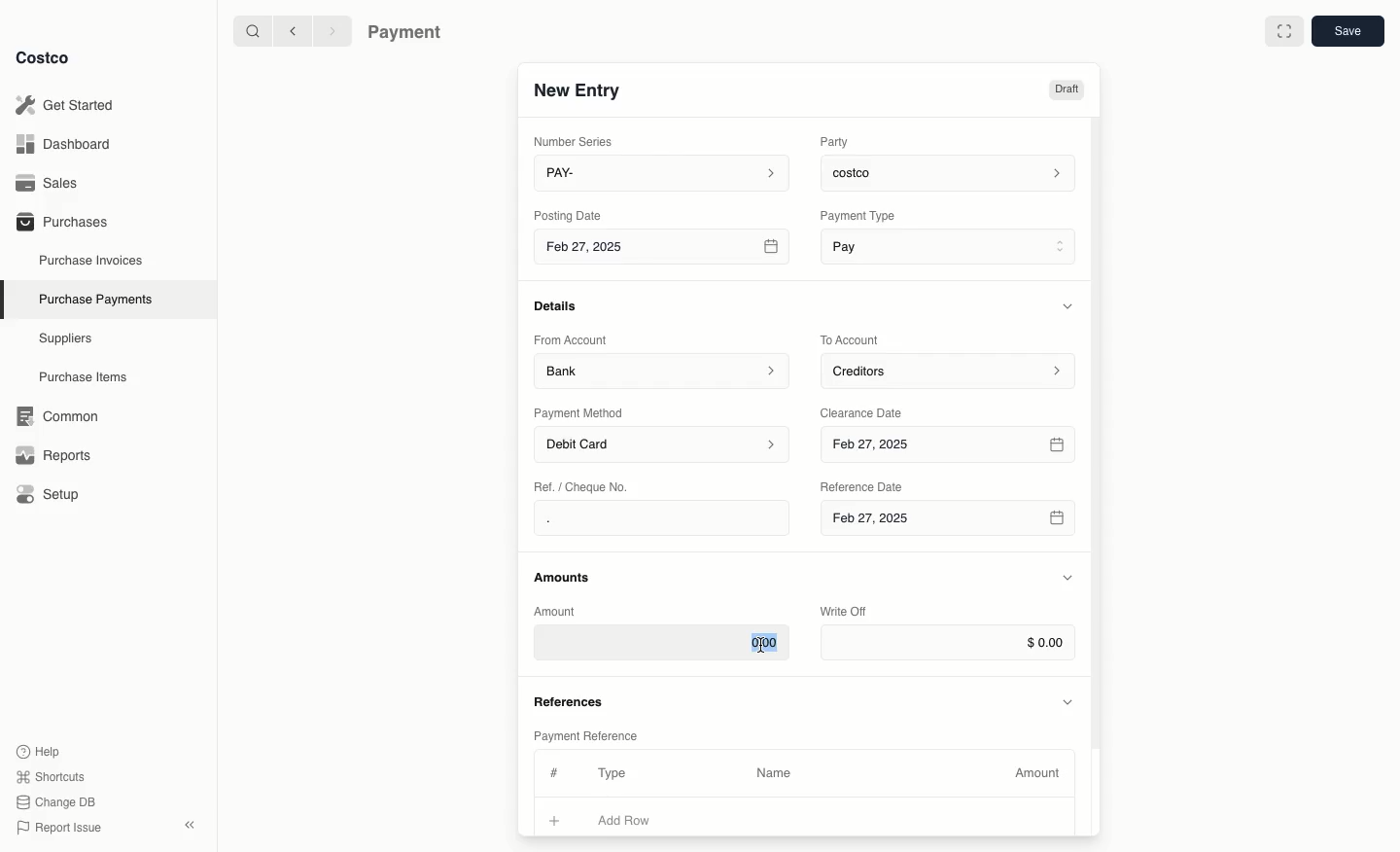 This screenshot has height=852, width=1400. Describe the element at coordinates (661, 642) in the screenshot. I see `$0.00` at that location.